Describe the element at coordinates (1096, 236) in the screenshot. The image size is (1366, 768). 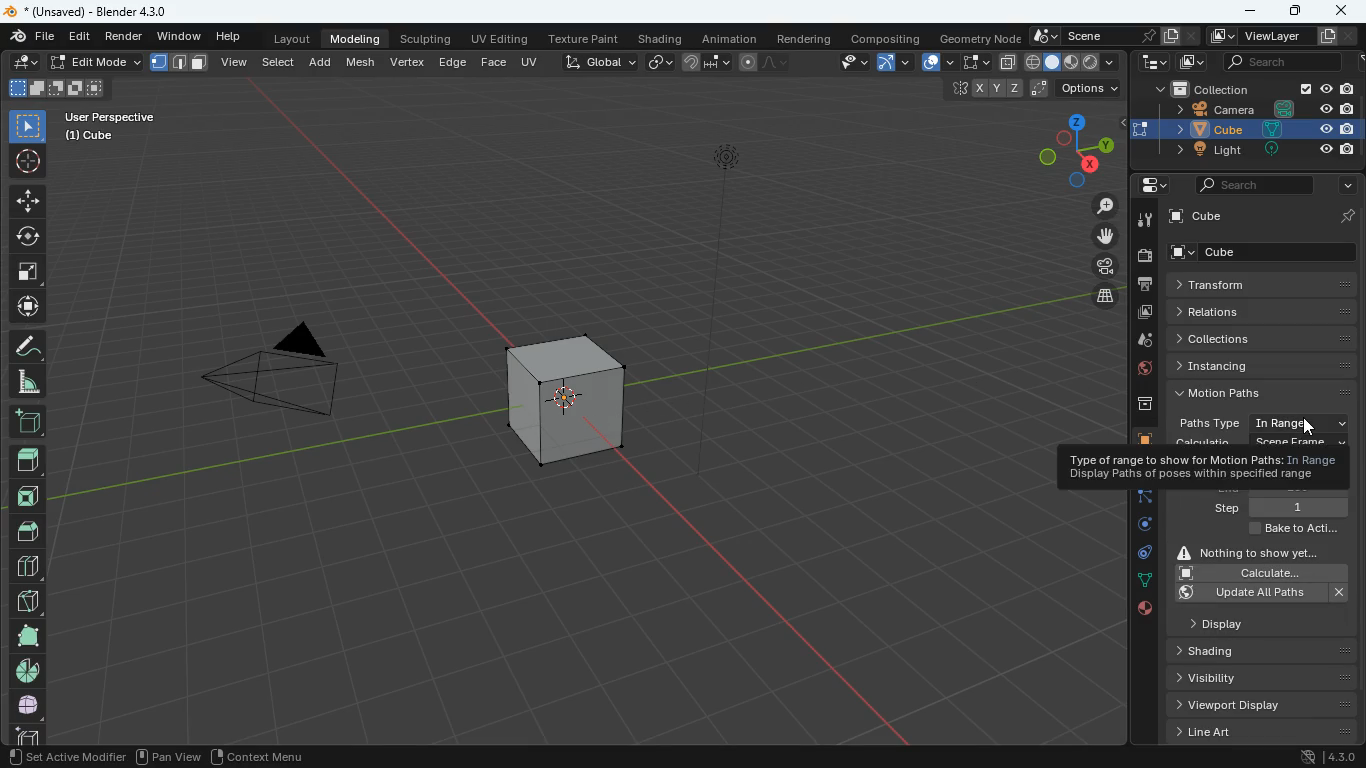
I see `move` at that location.